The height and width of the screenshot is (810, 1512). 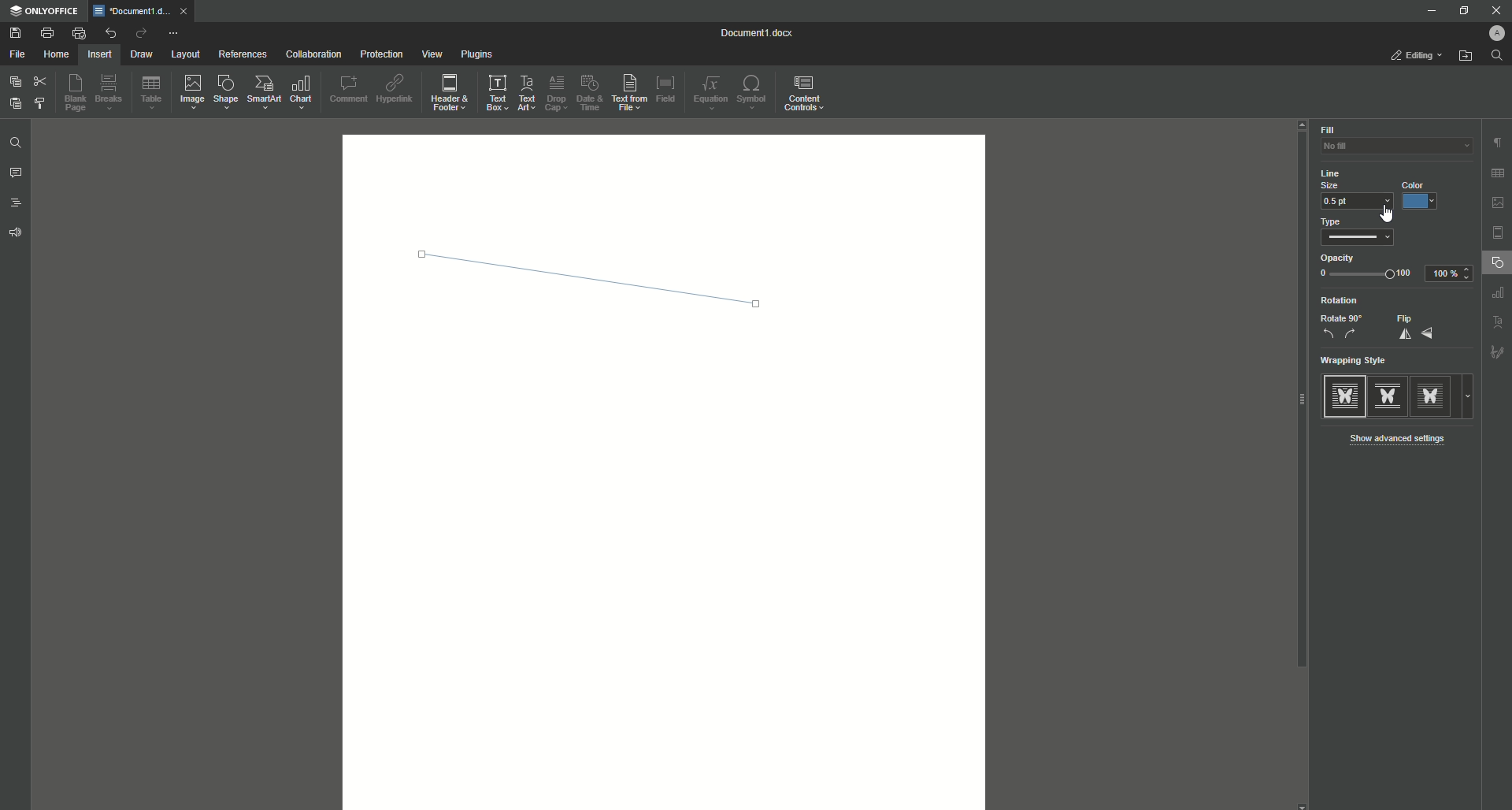 I want to click on Blank Page, so click(x=78, y=95).